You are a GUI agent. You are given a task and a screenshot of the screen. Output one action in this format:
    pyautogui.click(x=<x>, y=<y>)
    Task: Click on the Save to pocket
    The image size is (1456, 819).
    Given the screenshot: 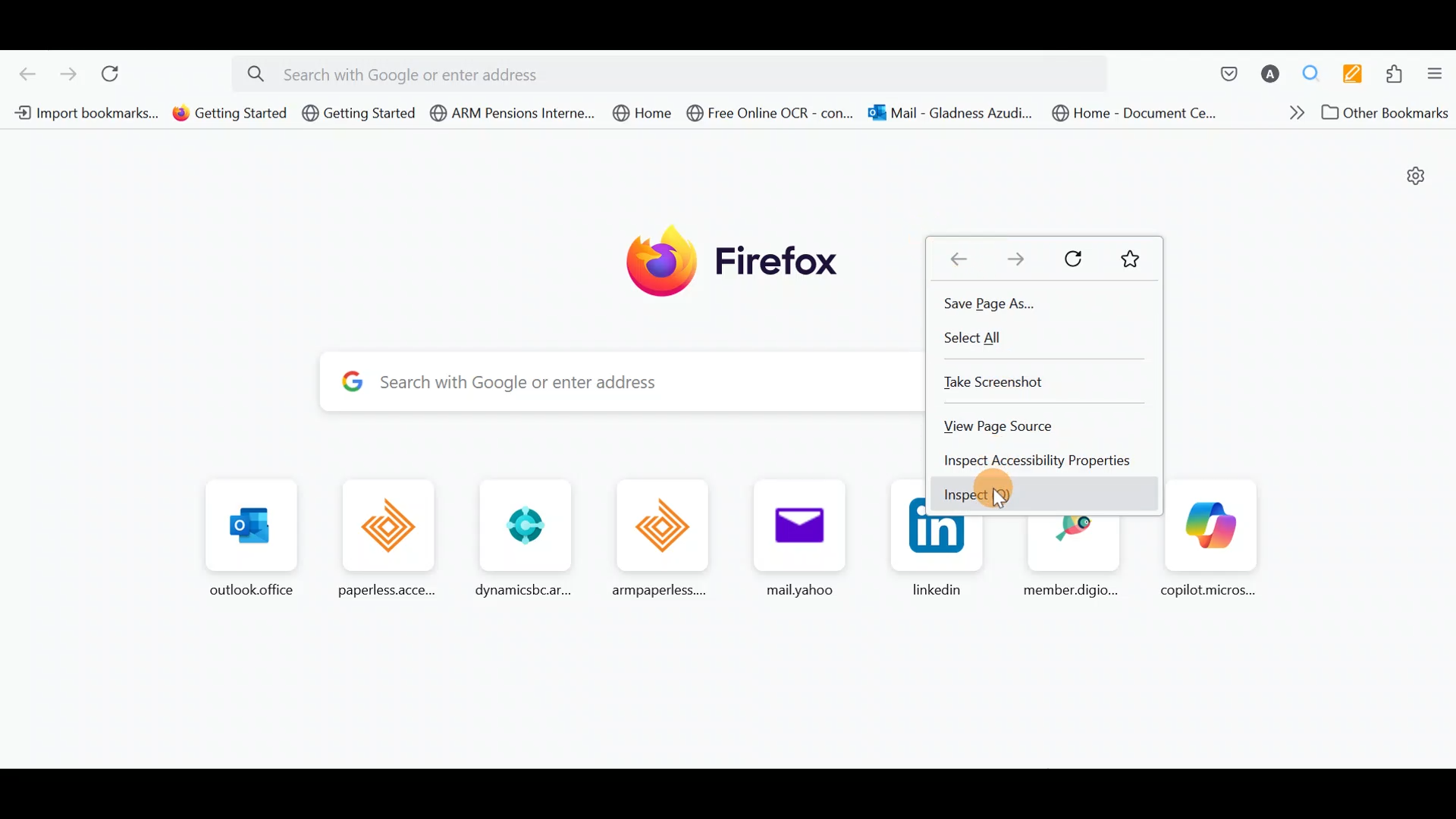 What is the action you would take?
    pyautogui.click(x=1221, y=74)
    